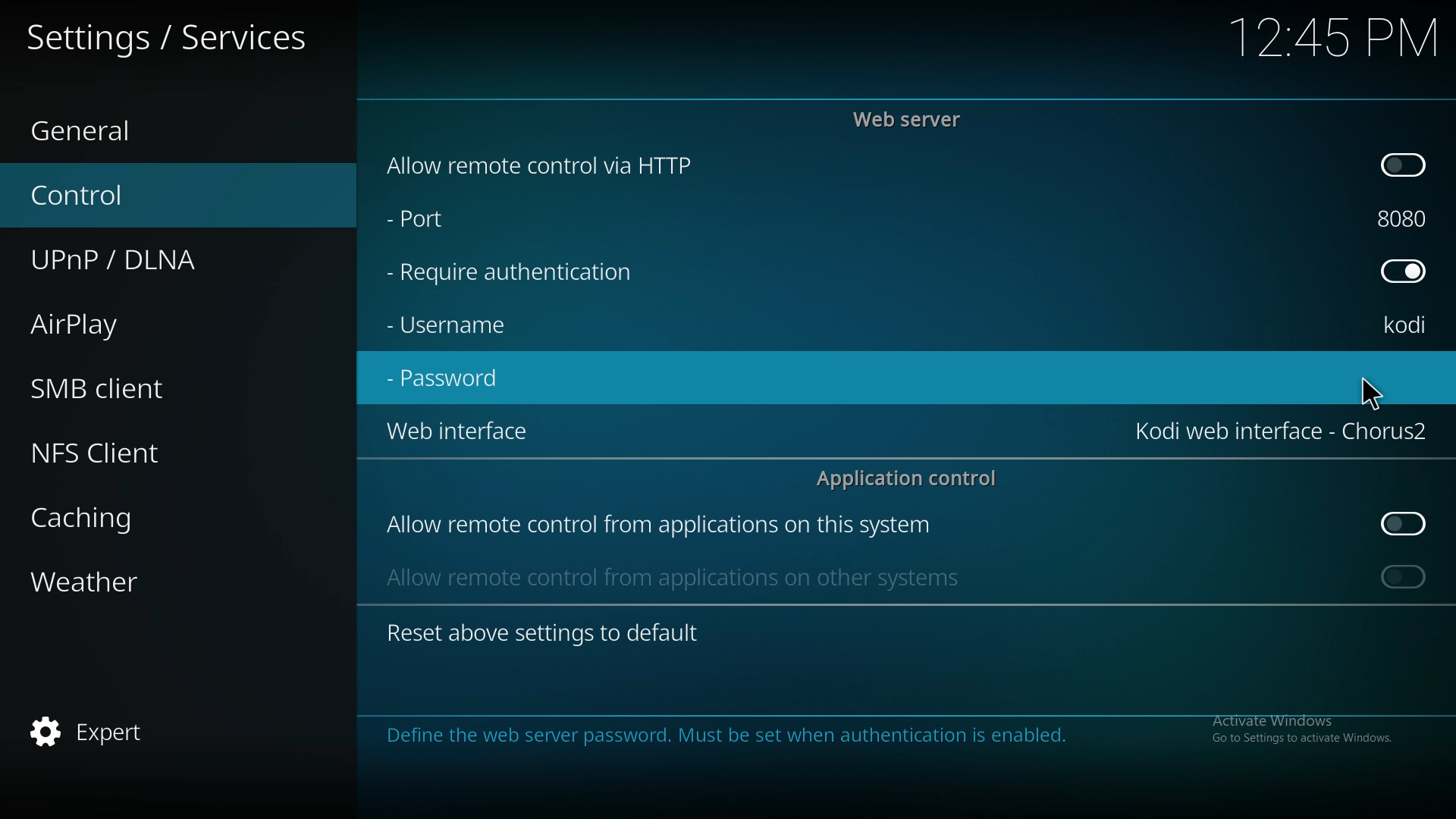 The image size is (1456, 819). What do you see at coordinates (512, 273) in the screenshot?
I see `require authentication` at bounding box center [512, 273].